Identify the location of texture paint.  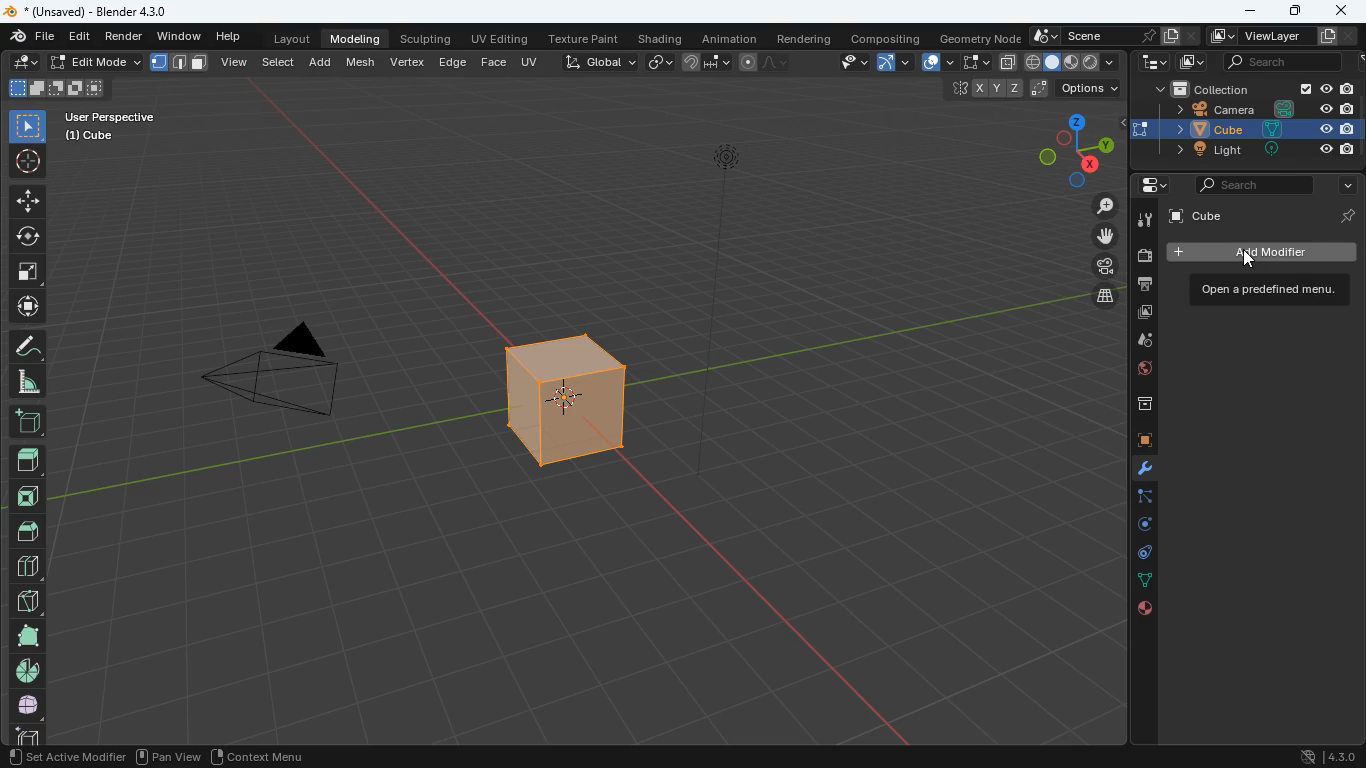
(586, 38).